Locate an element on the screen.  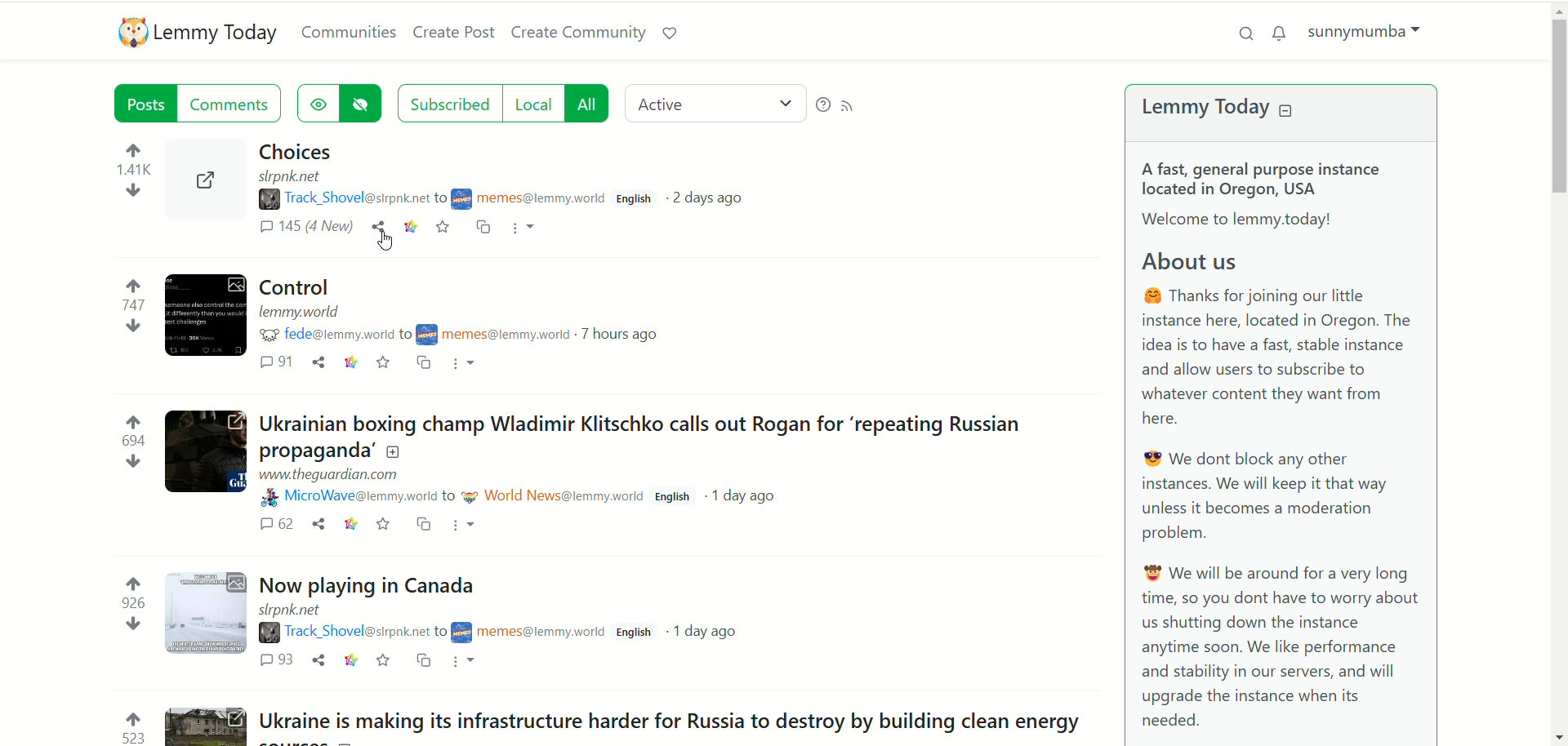
Post on "Ukraine is making its infrastructure harder for Russia to destroy by building clean energy" is located at coordinates (670, 719).